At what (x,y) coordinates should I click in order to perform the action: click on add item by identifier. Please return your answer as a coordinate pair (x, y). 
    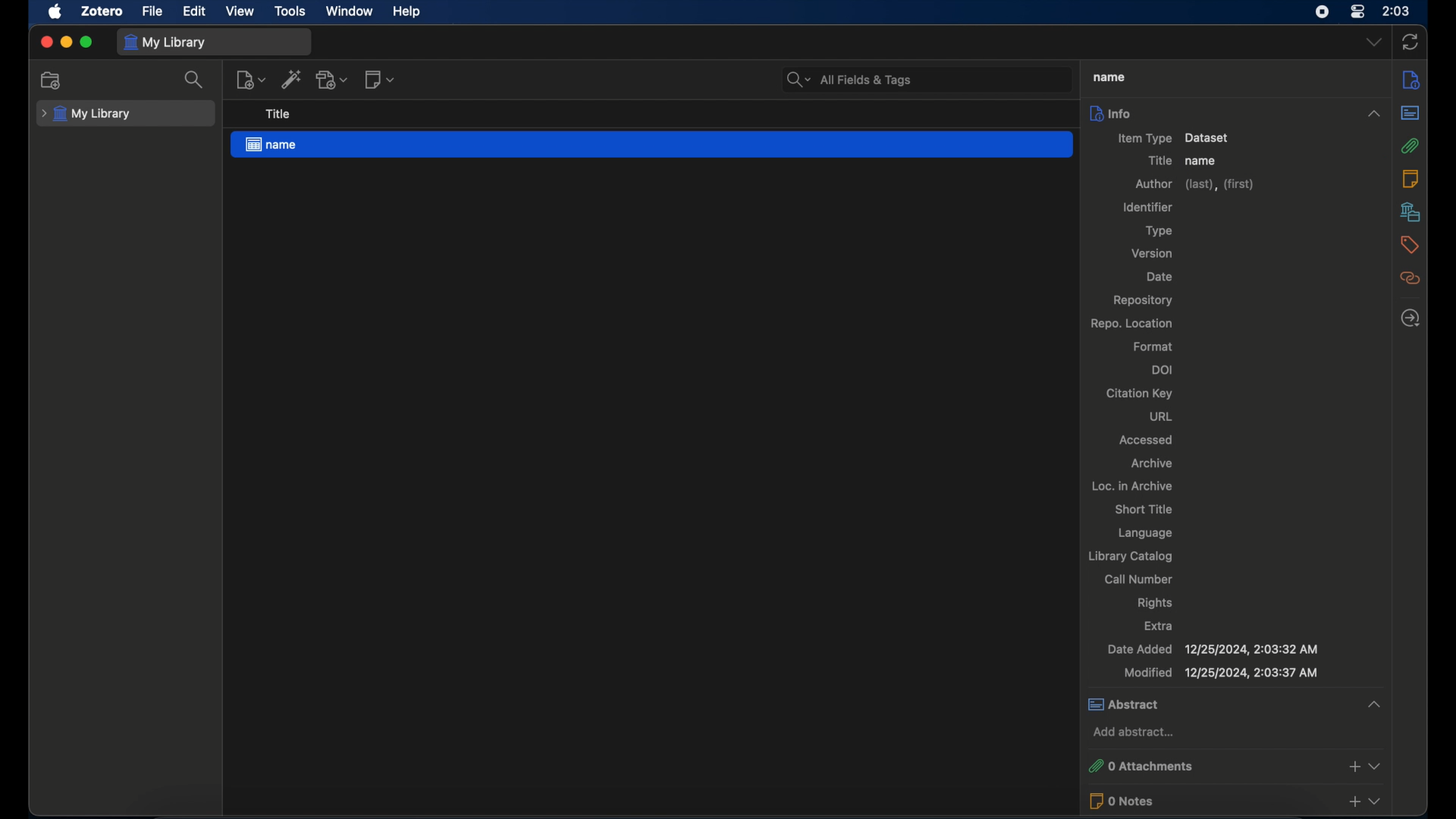
    Looking at the image, I should click on (292, 79).